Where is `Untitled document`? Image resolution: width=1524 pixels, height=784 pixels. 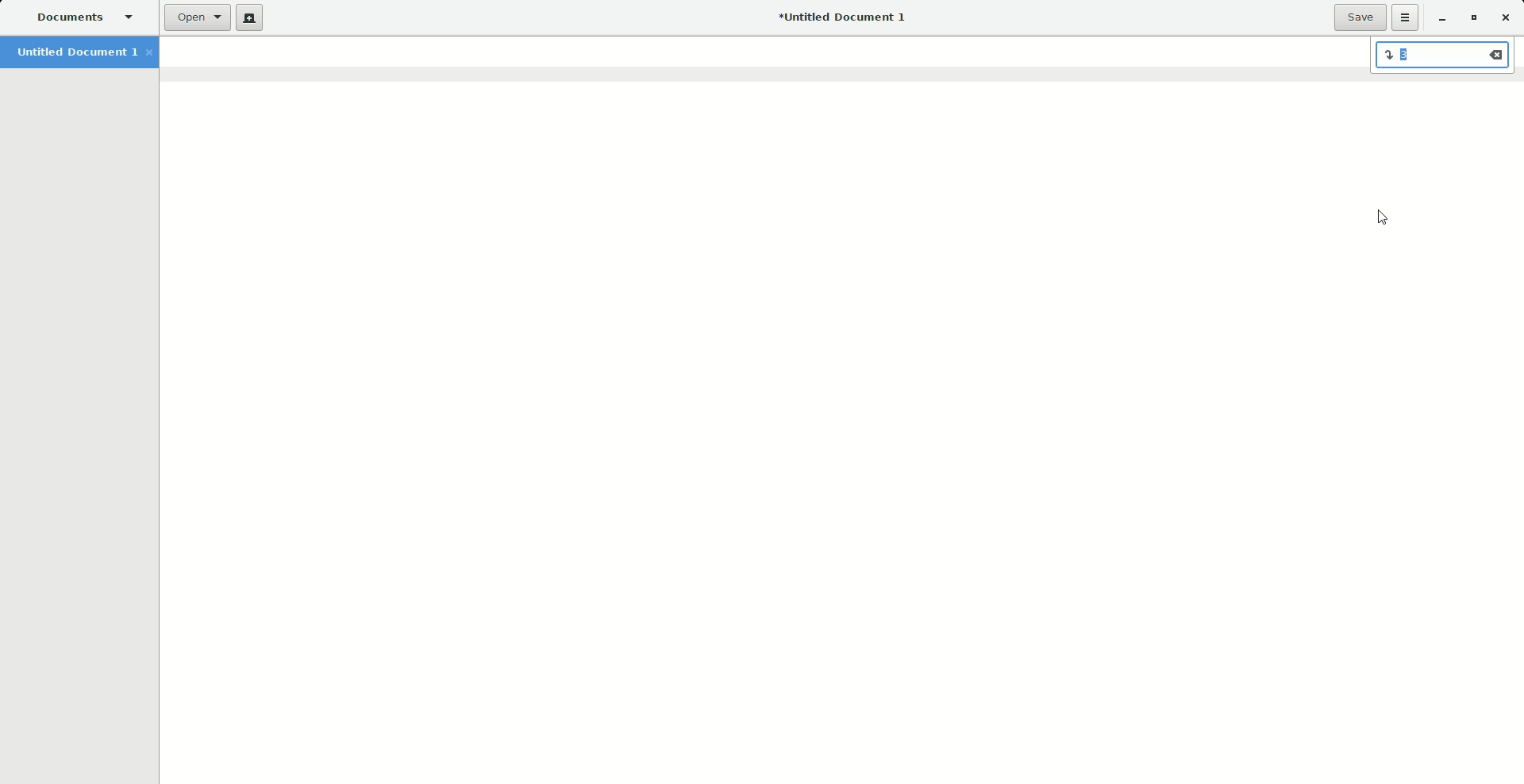 Untitled document is located at coordinates (841, 18).